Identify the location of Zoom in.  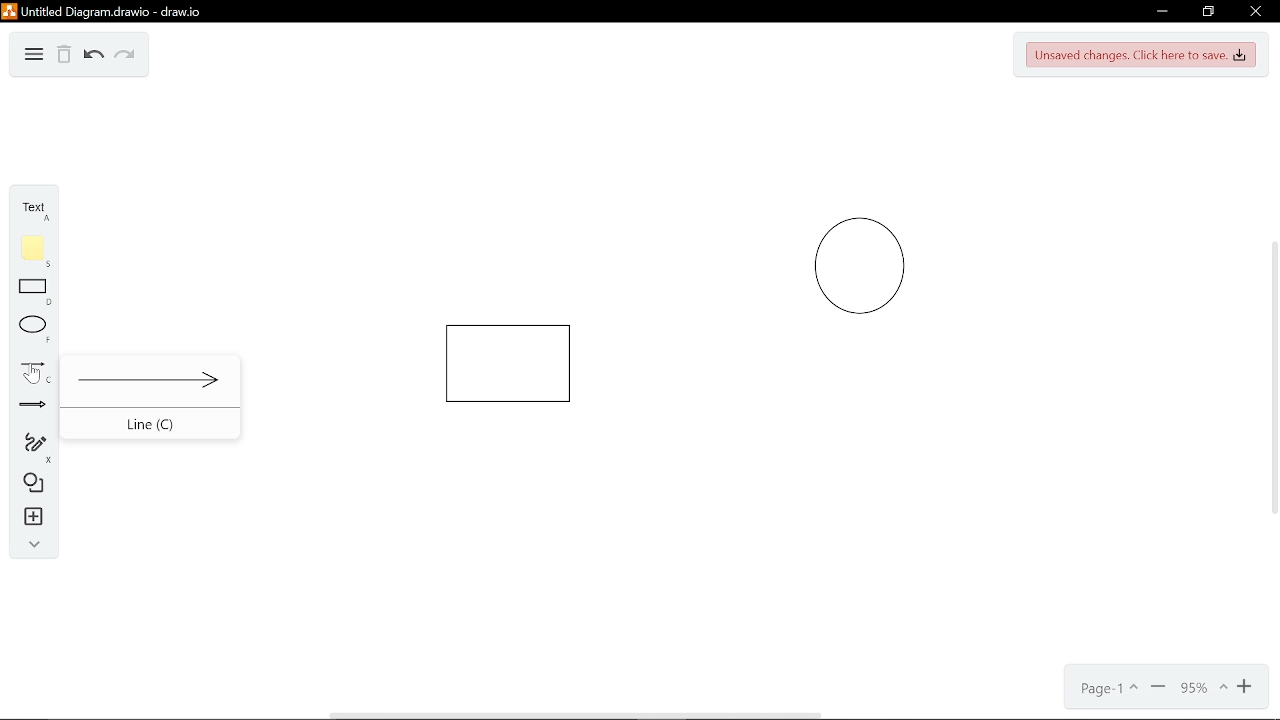
(1246, 688).